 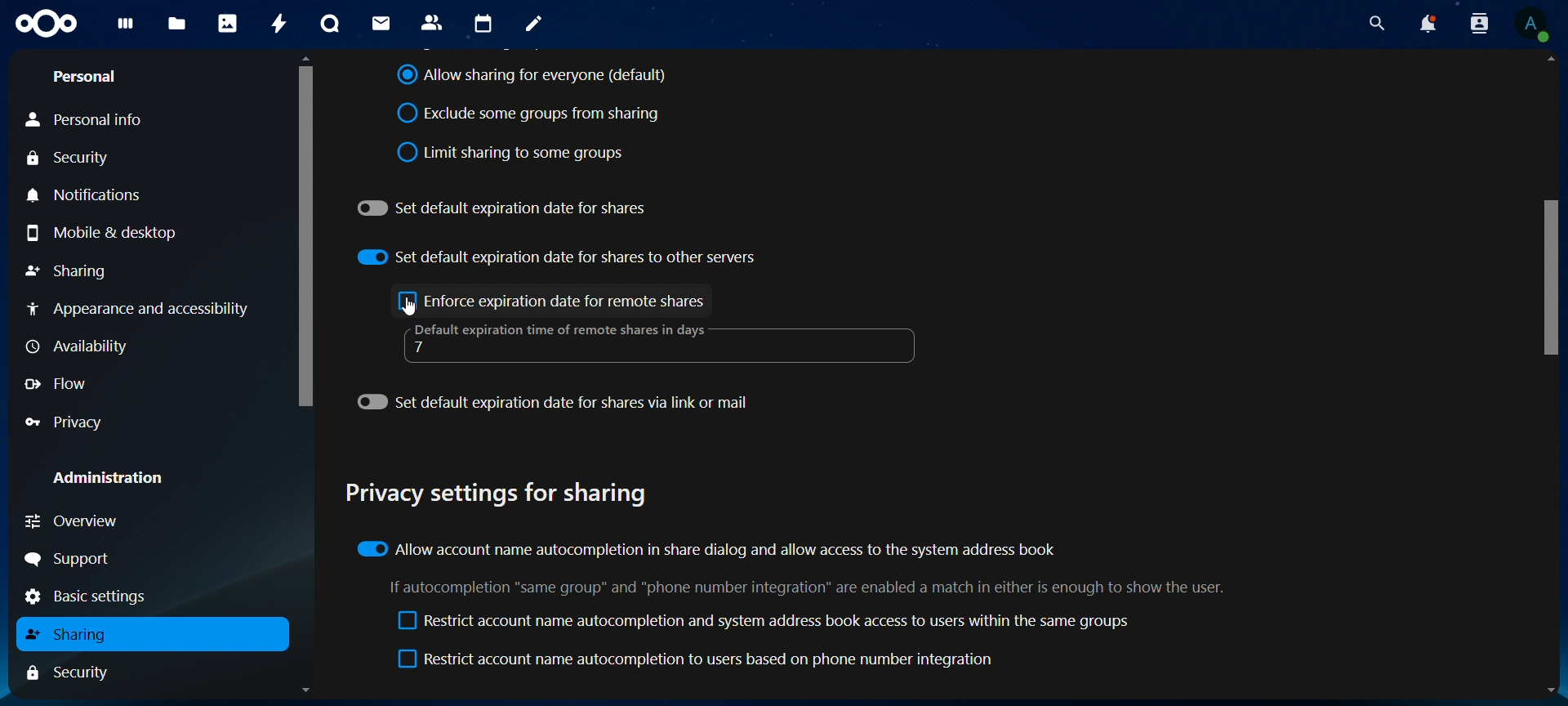 I want to click on activity, so click(x=280, y=25).